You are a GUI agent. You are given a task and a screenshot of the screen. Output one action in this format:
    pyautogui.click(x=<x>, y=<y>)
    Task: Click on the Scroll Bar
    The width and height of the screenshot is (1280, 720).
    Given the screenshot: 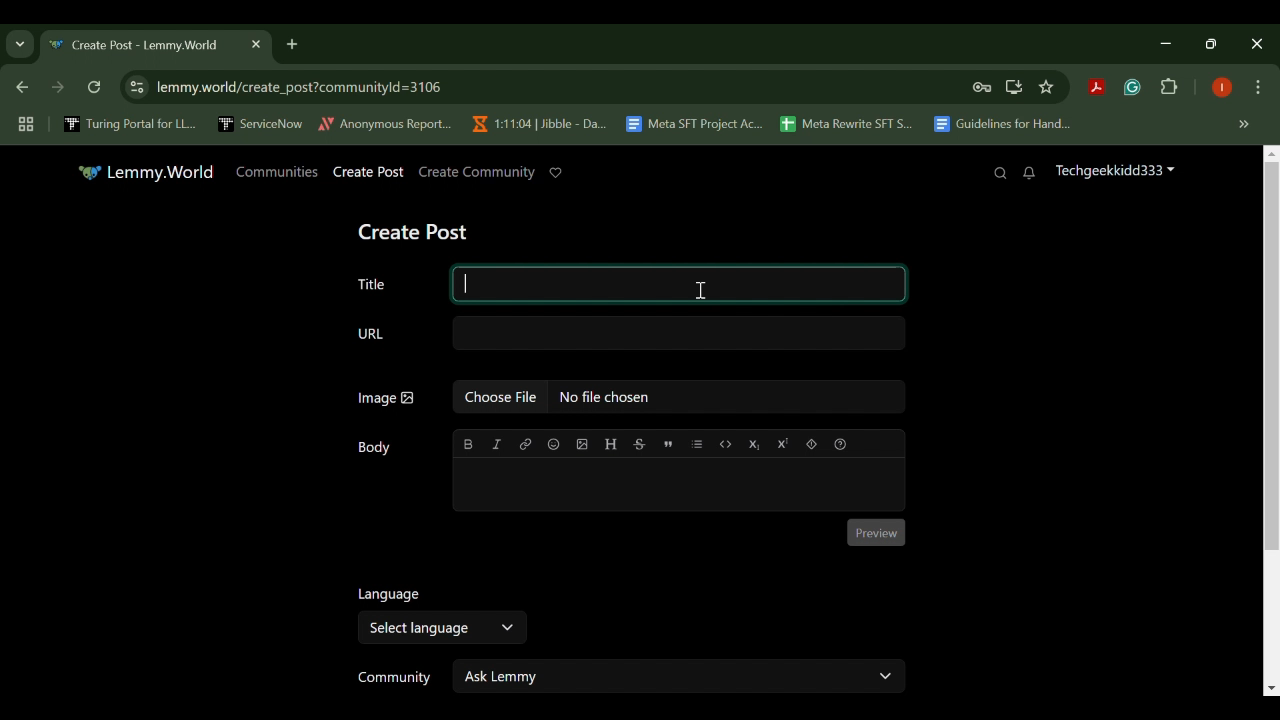 What is the action you would take?
    pyautogui.click(x=1272, y=419)
    